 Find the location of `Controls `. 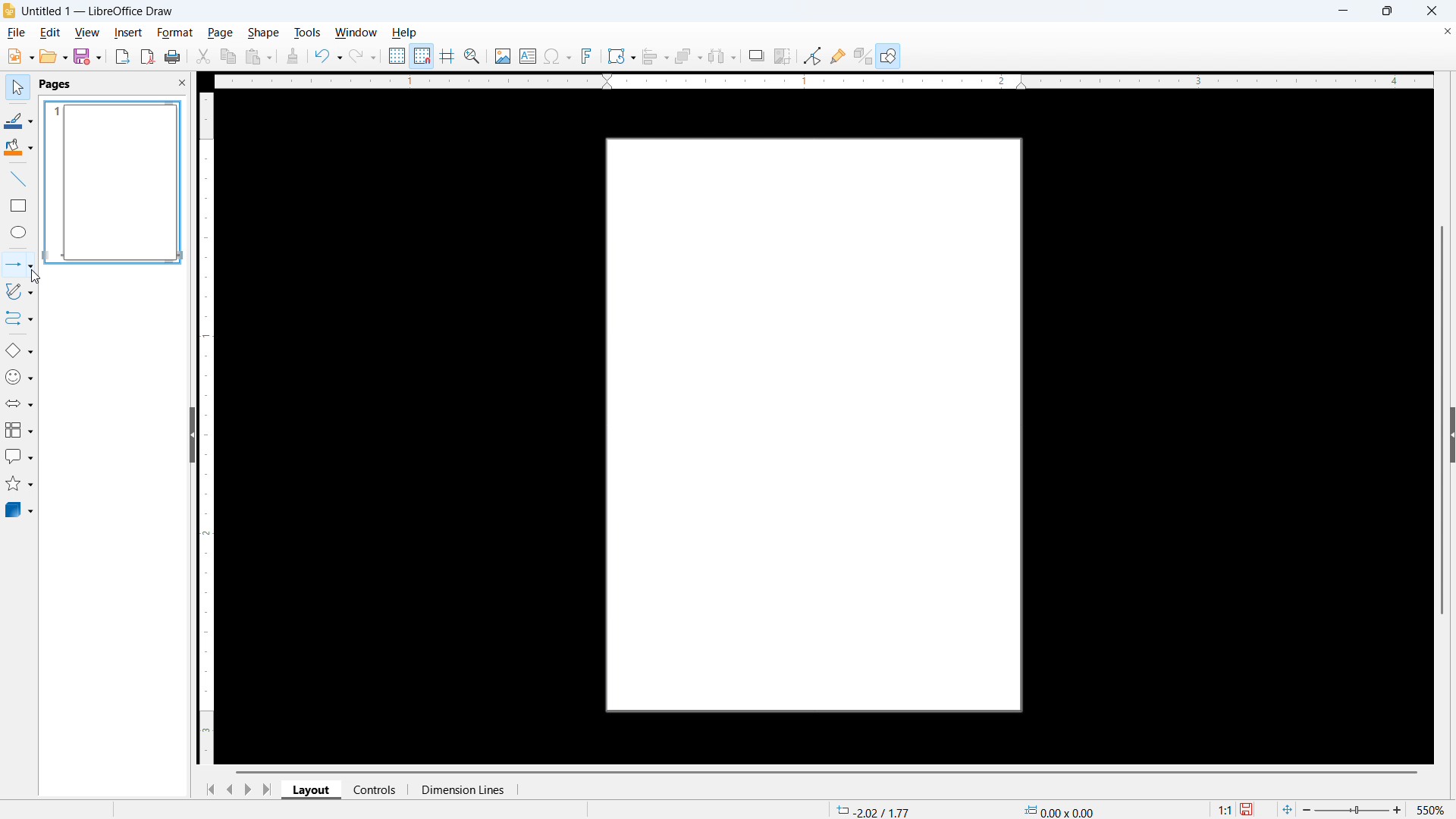

Controls  is located at coordinates (376, 789).